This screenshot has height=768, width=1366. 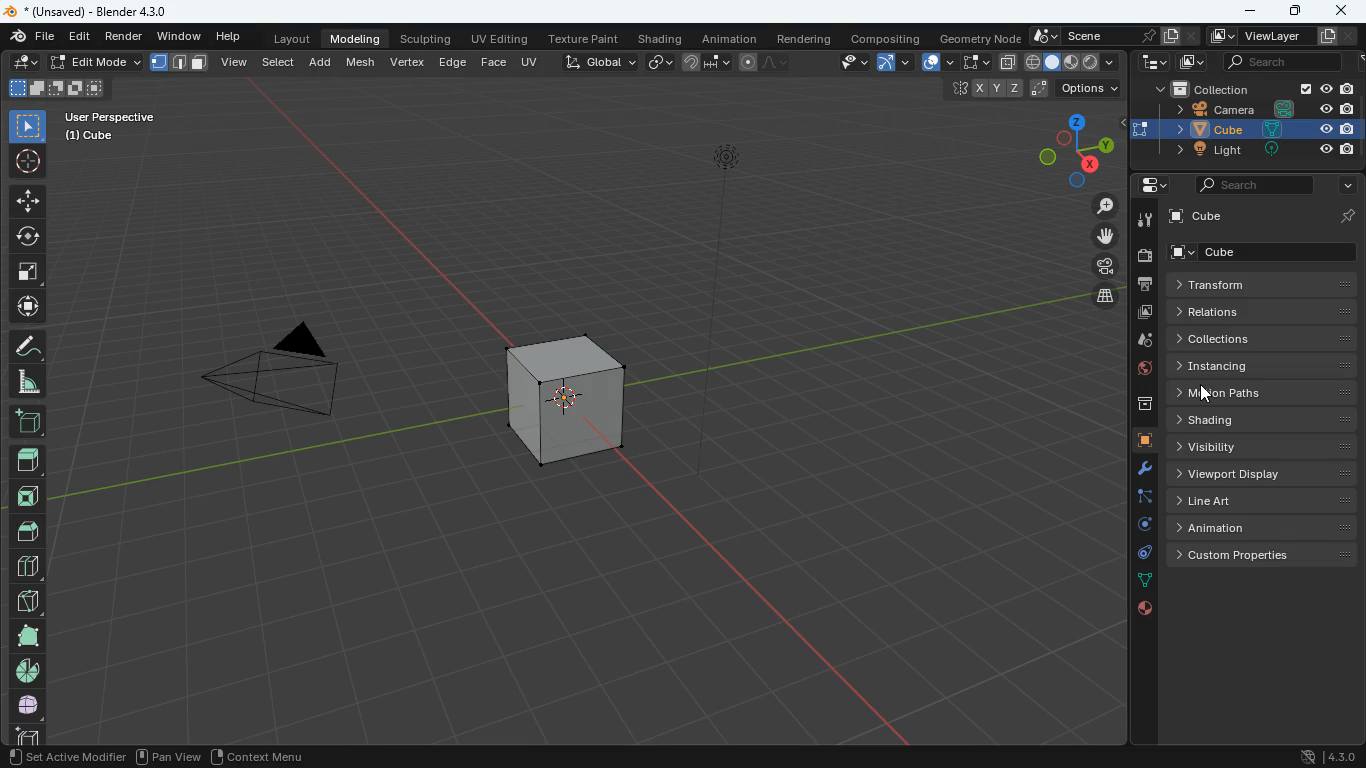 What do you see at coordinates (845, 63) in the screenshot?
I see `view` at bounding box center [845, 63].